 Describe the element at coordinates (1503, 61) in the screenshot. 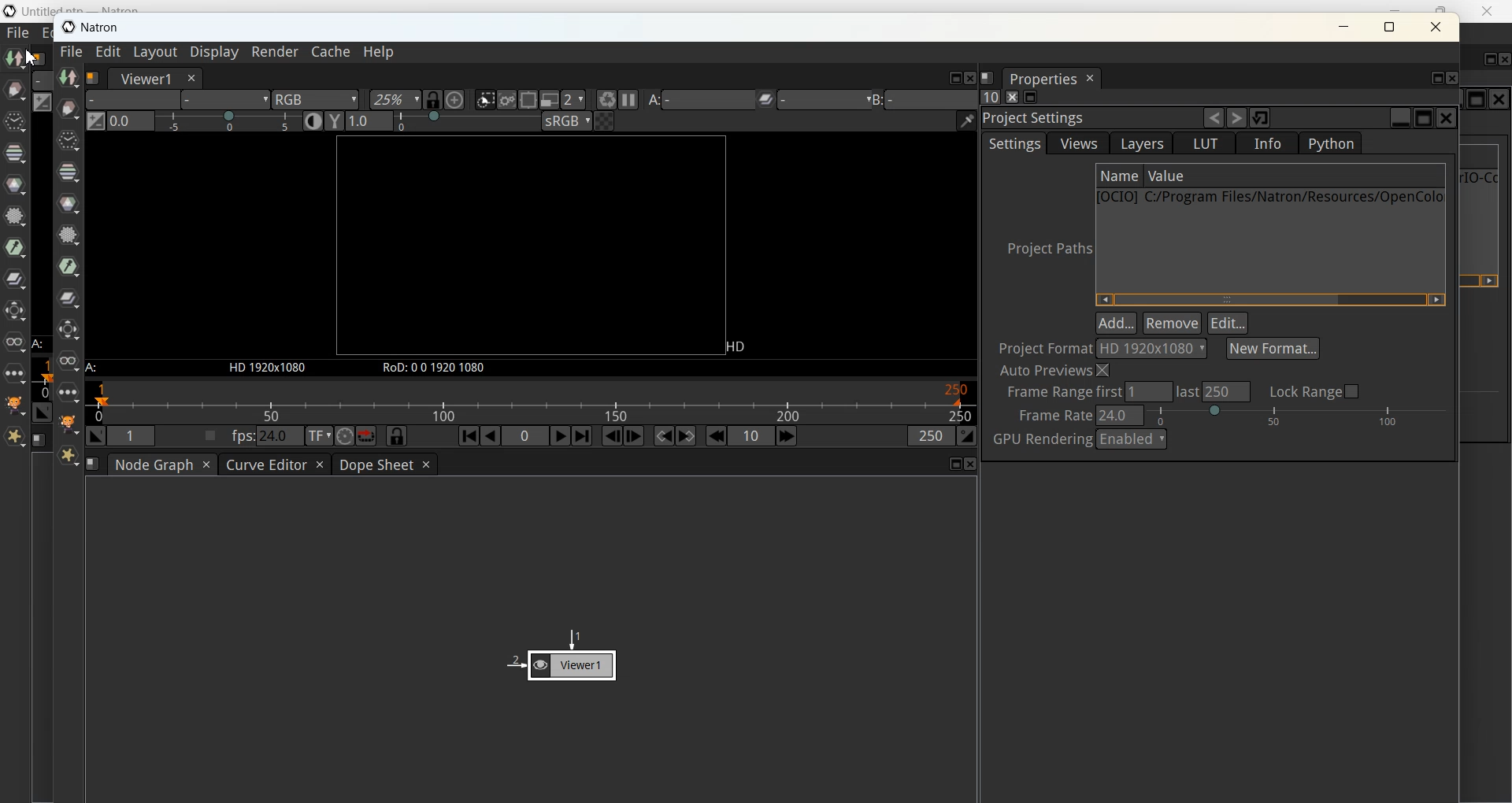

I see `Close` at that location.